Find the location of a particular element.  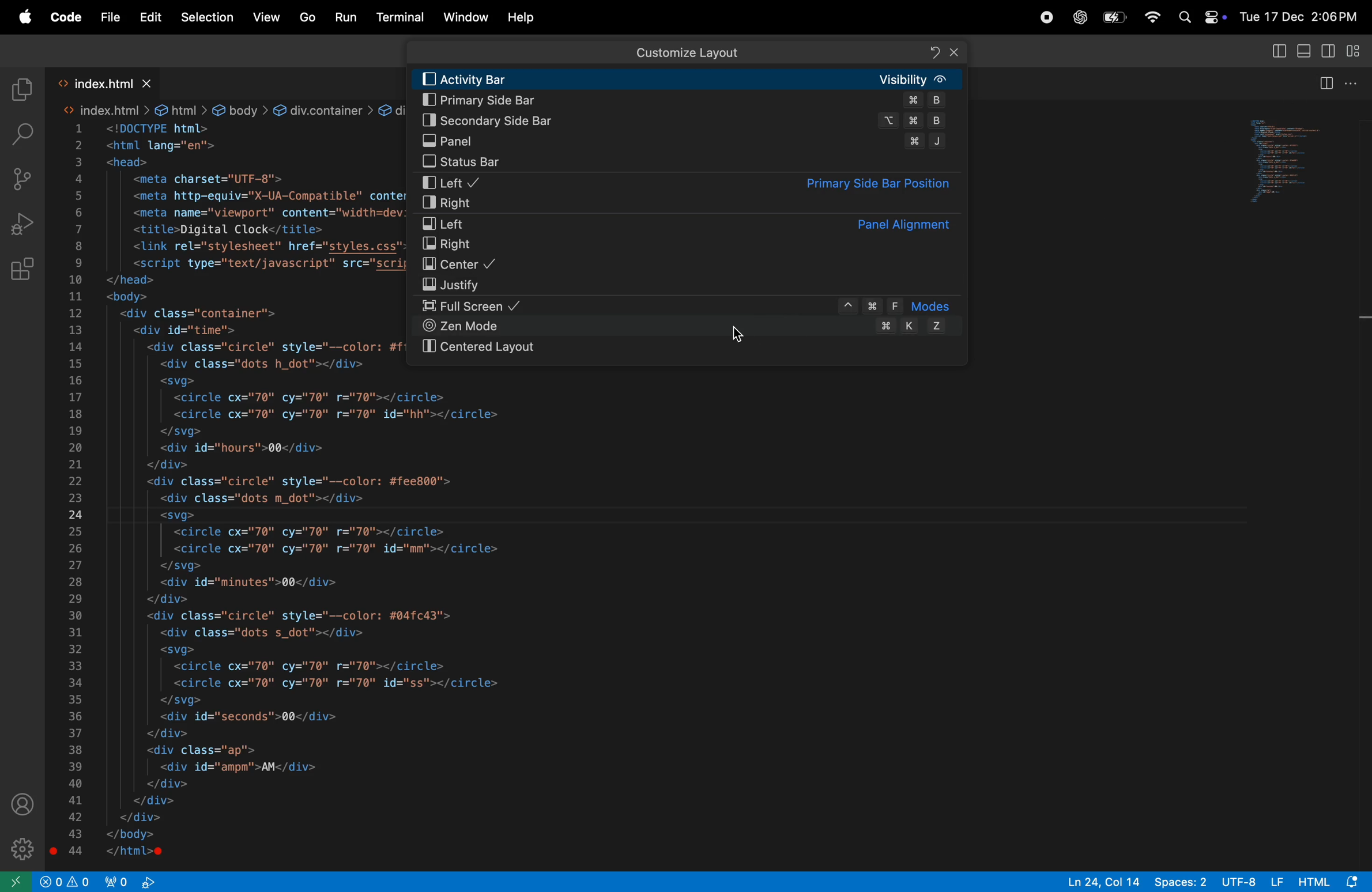

ln 24, col 14 is located at coordinates (1098, 880).